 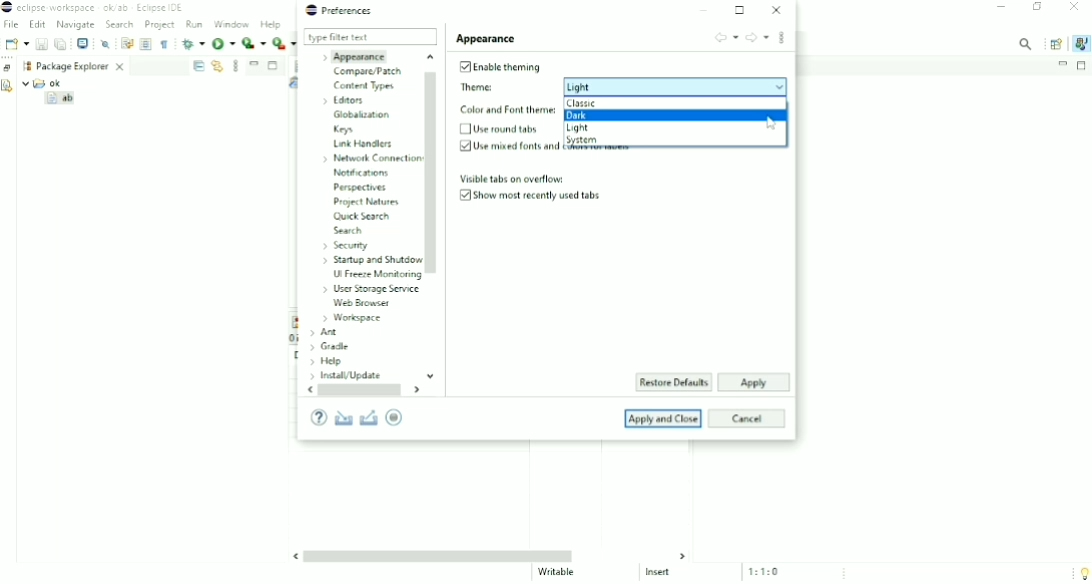 I want to click on UI Freeze Monitoring, so click(x=376, y=276).